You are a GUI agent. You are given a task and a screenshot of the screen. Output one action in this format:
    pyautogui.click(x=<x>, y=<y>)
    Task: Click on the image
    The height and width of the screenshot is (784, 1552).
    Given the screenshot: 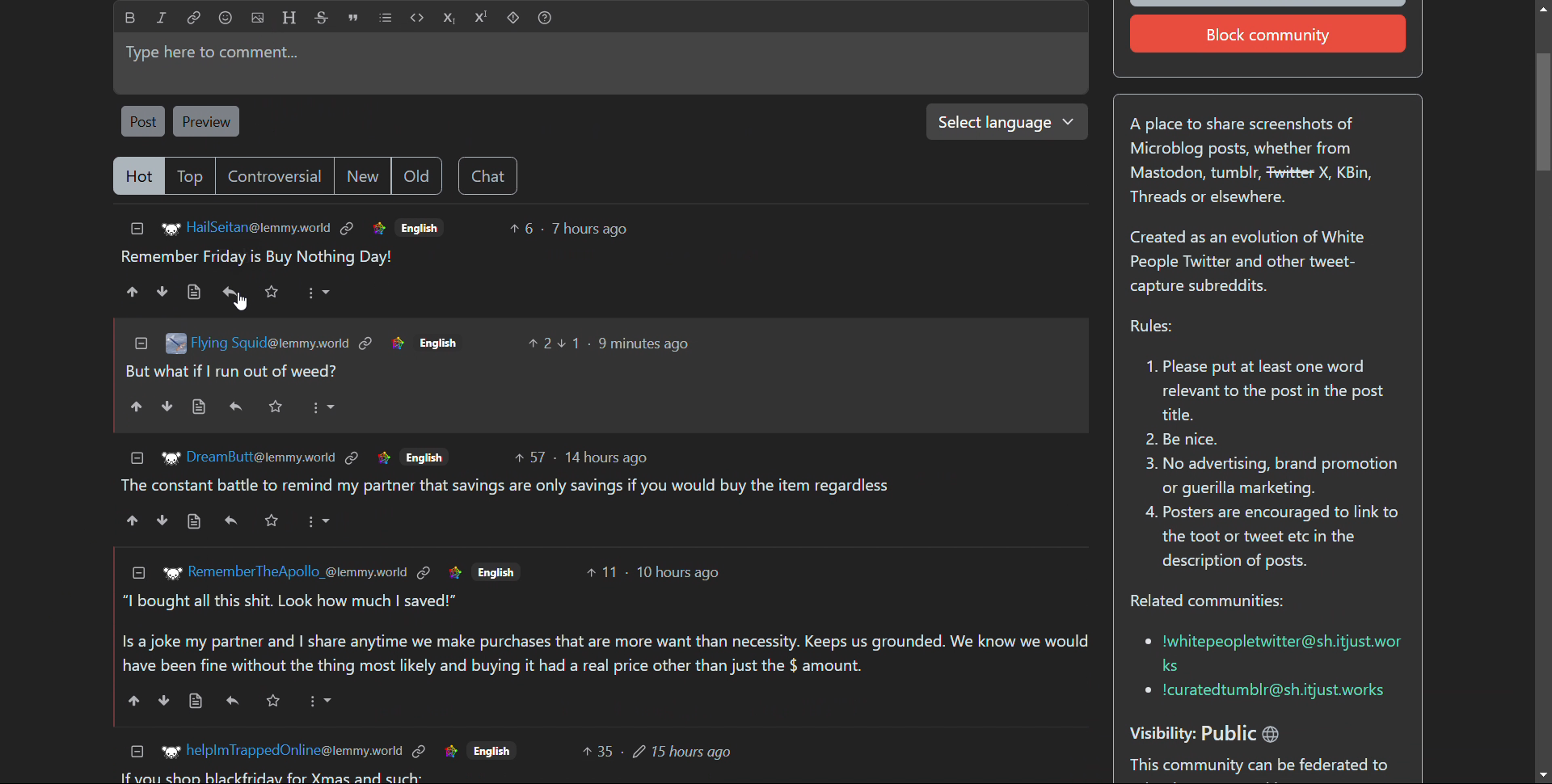 What is the action you would take?
    pyautogui.click(x=165, y=752)
    